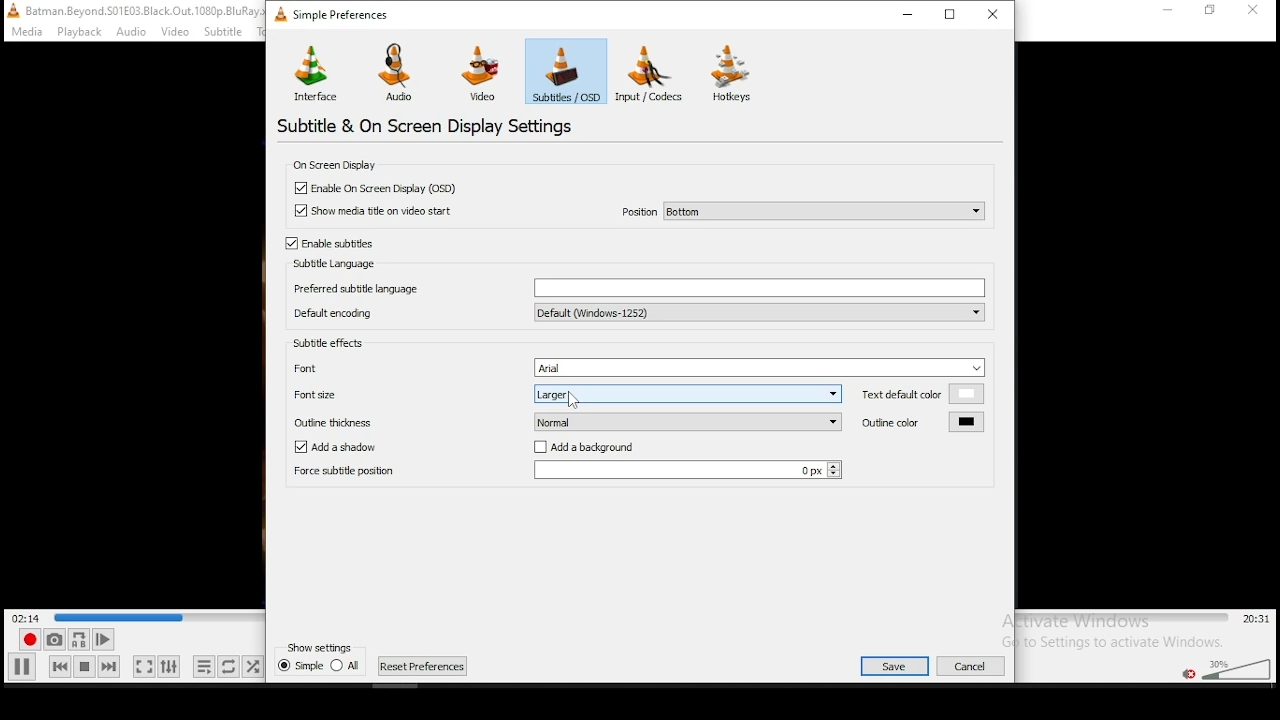 Image resolution: width=1280 pixels, height=720 pixels. What do you see at coordinates (1167, 14) in the screenshot?
I see `` at bounding box center [1167, 14].